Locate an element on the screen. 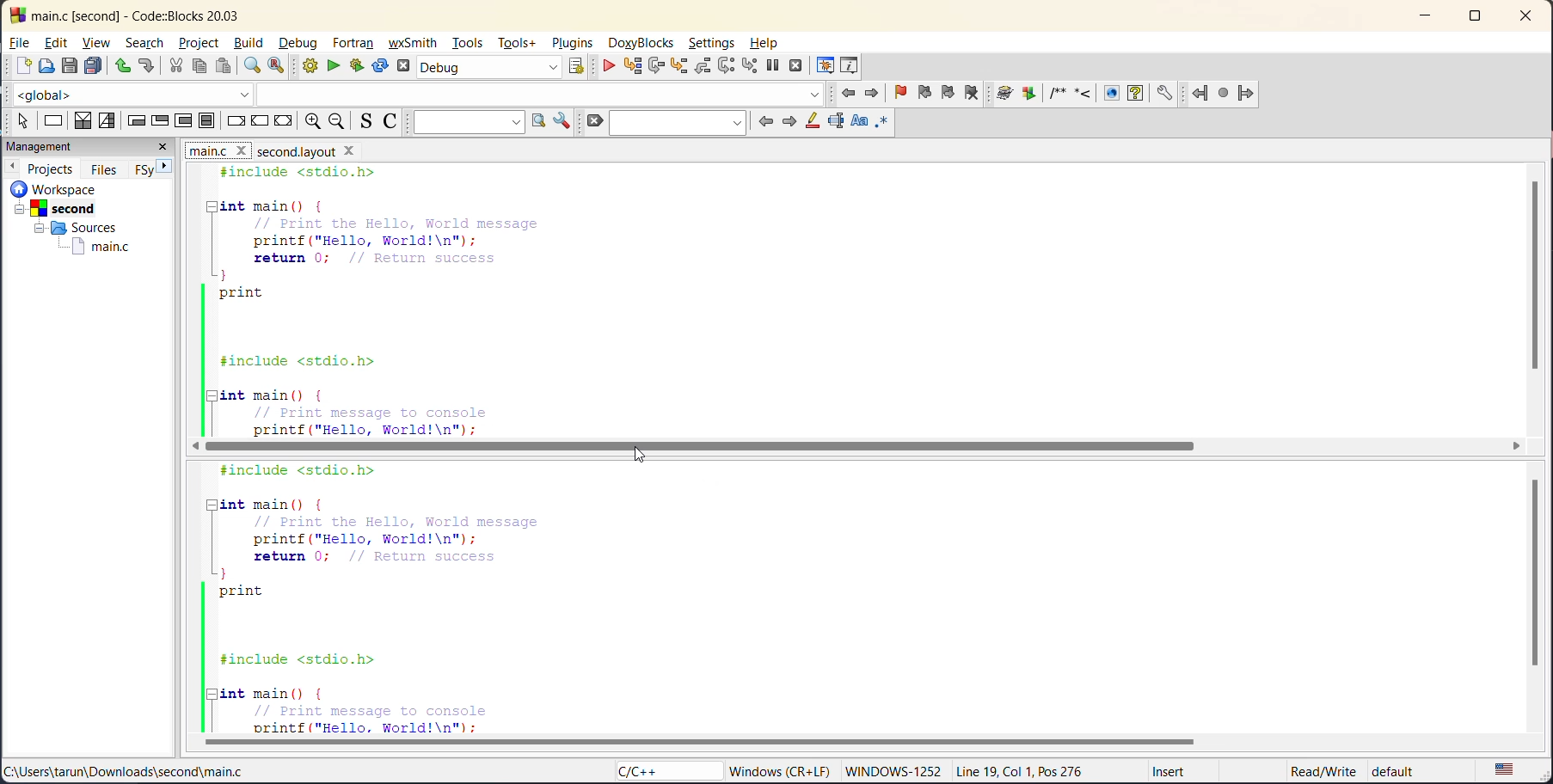  previous bookmark is located at coordinates (924, 95).